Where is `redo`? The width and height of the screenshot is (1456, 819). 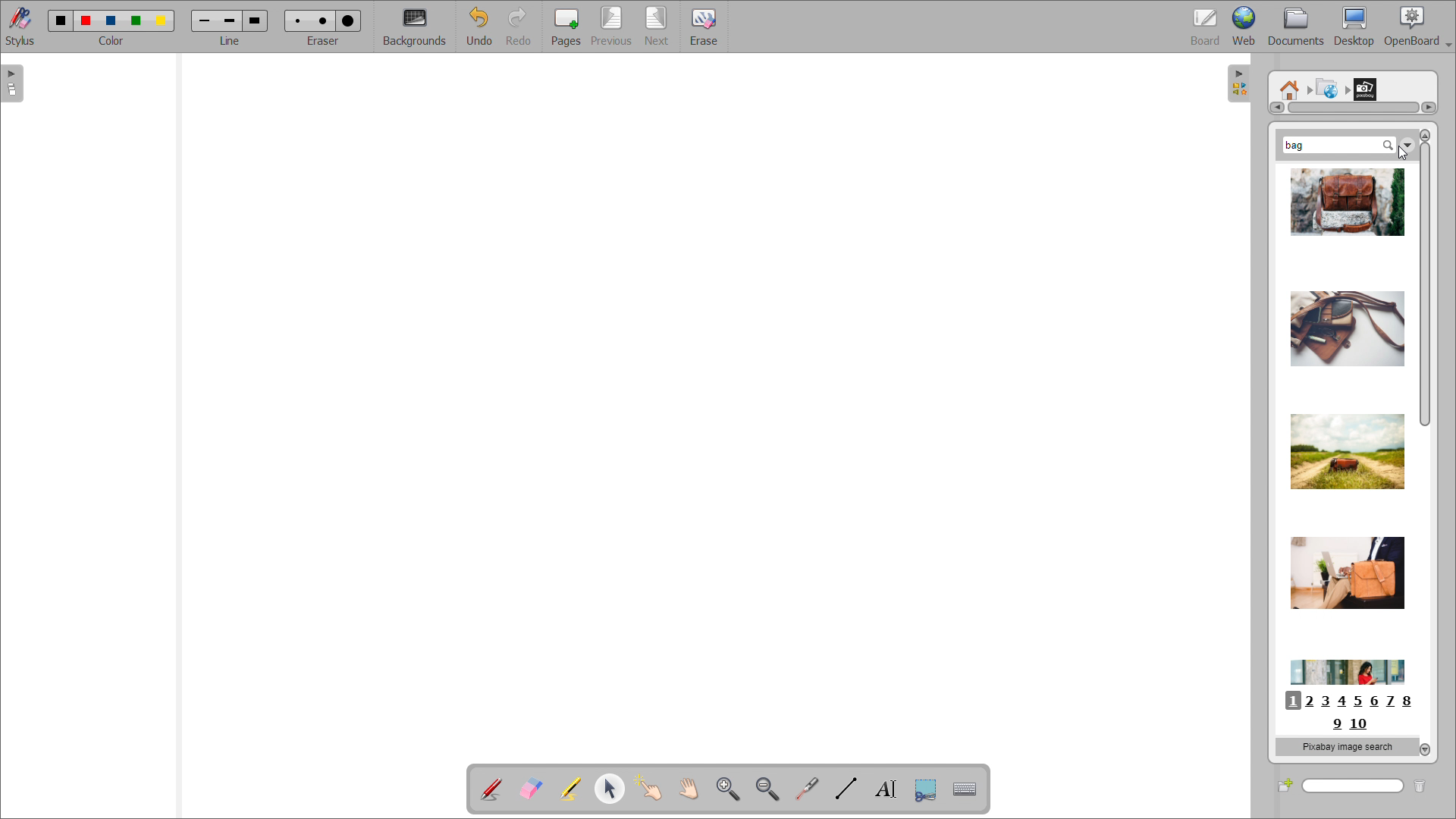
redo is located at coordinates (521, 27).